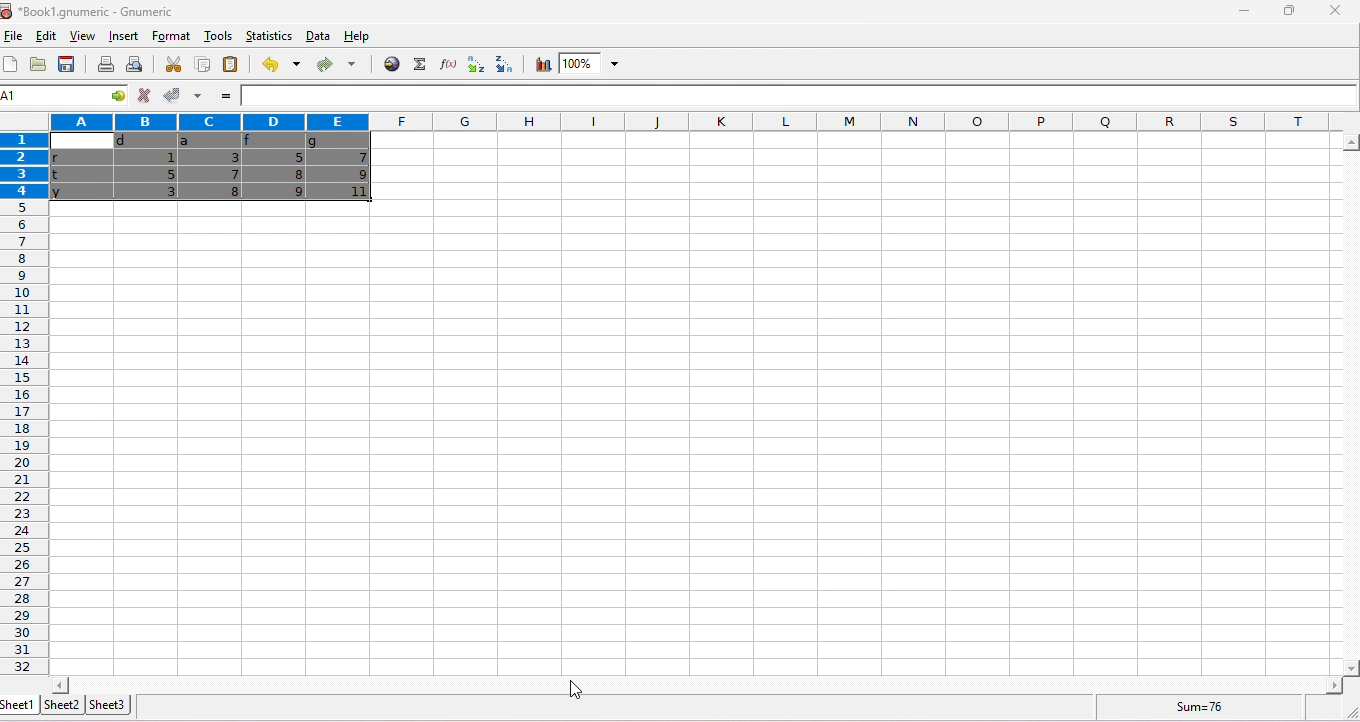 The image size is (1360, 722). I want to click on accept changes, so click(168, 94).